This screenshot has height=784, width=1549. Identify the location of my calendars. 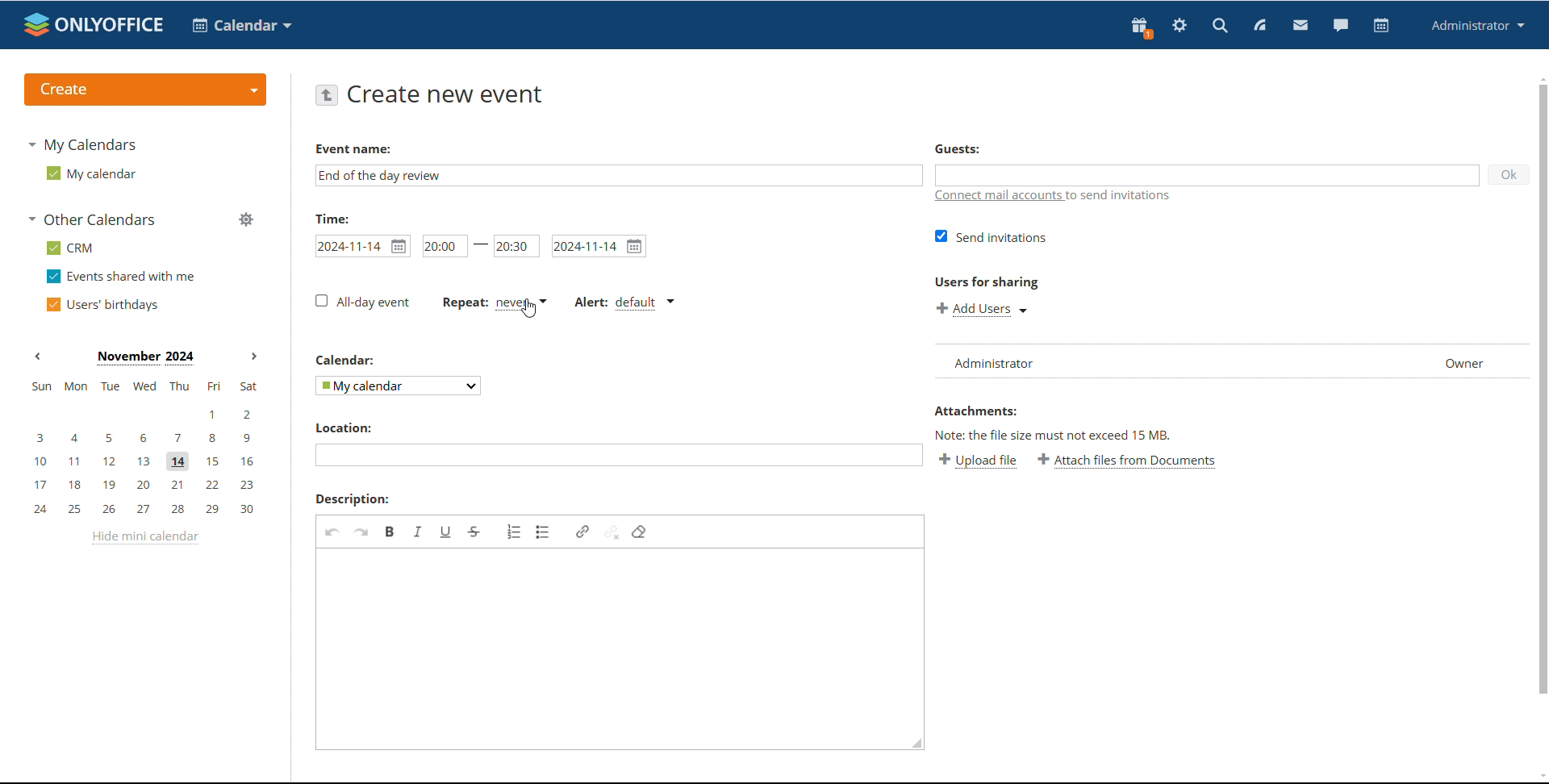
(81, 144).